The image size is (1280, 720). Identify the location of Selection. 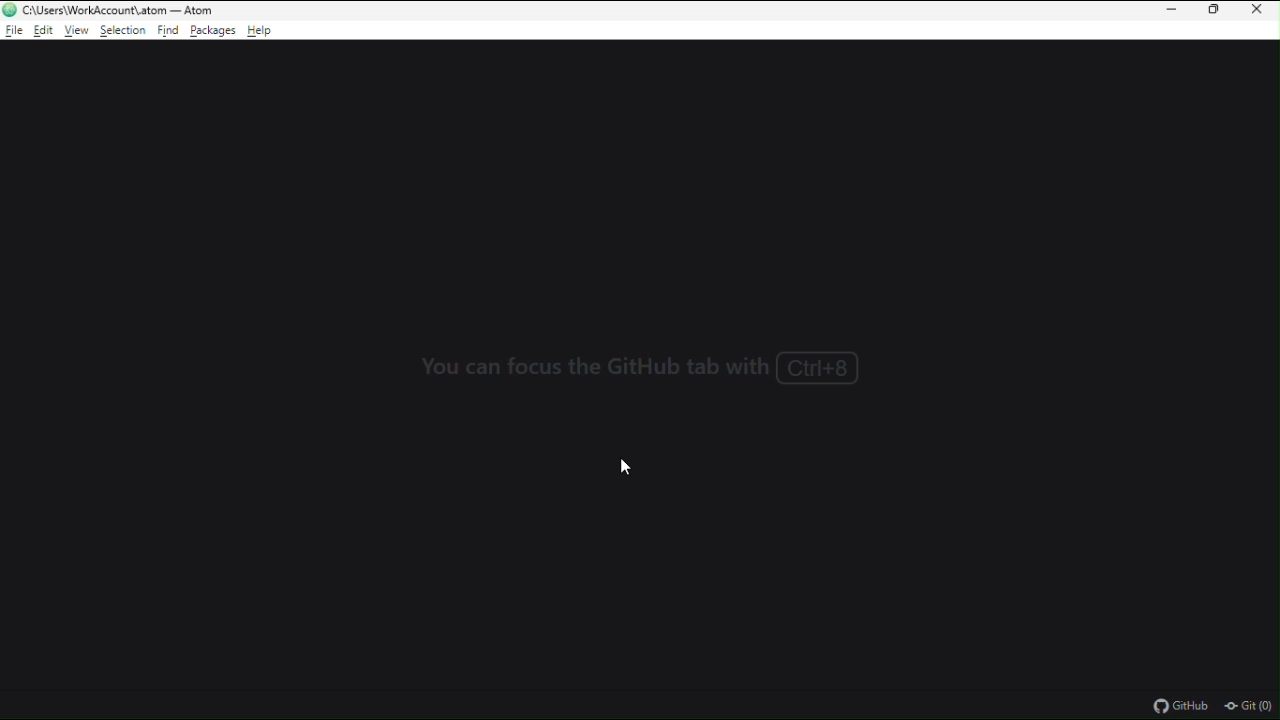
(123, 32).